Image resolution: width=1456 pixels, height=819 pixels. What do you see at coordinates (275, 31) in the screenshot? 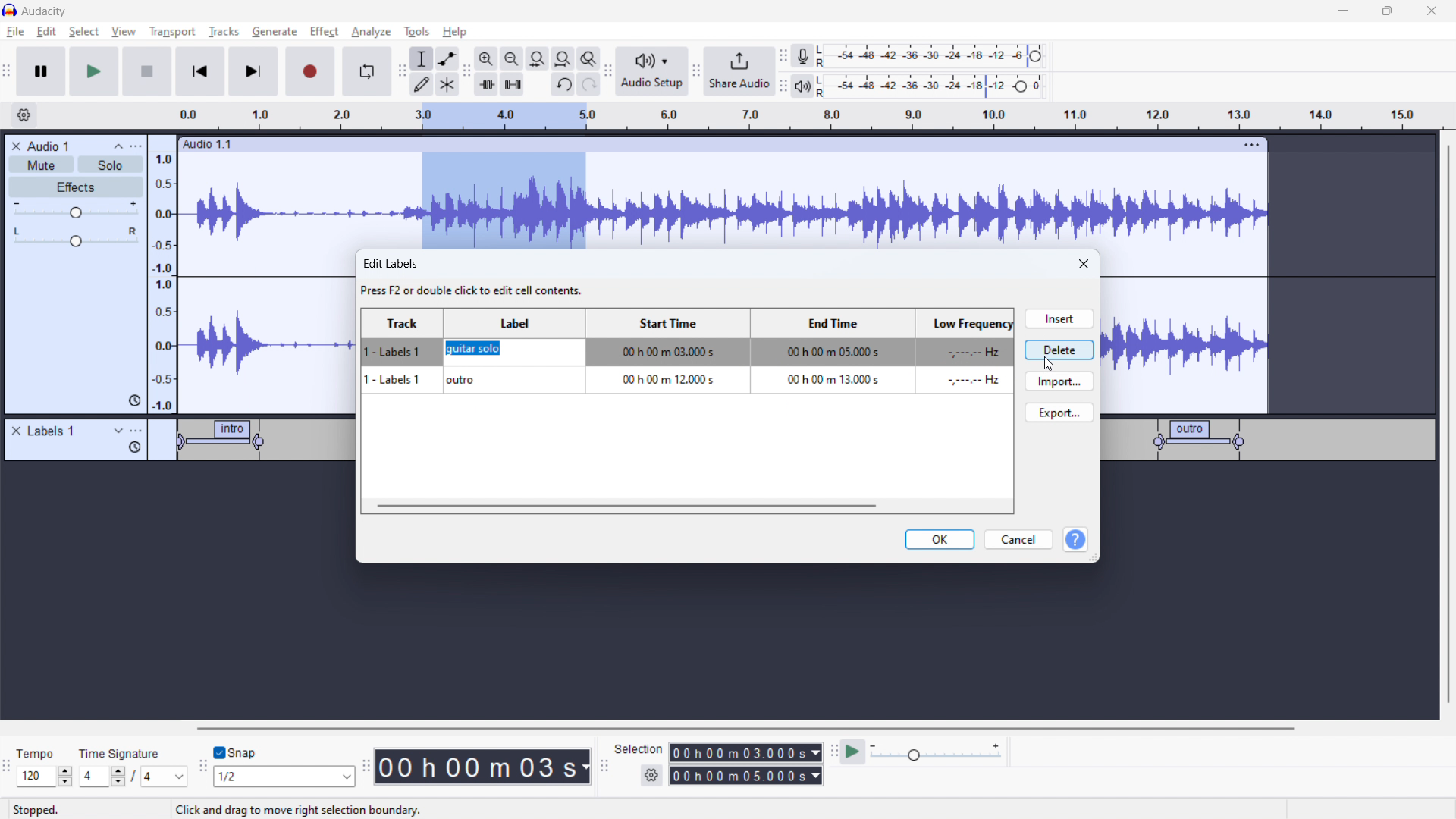
I see `generate` at bounding box center [275, 31].